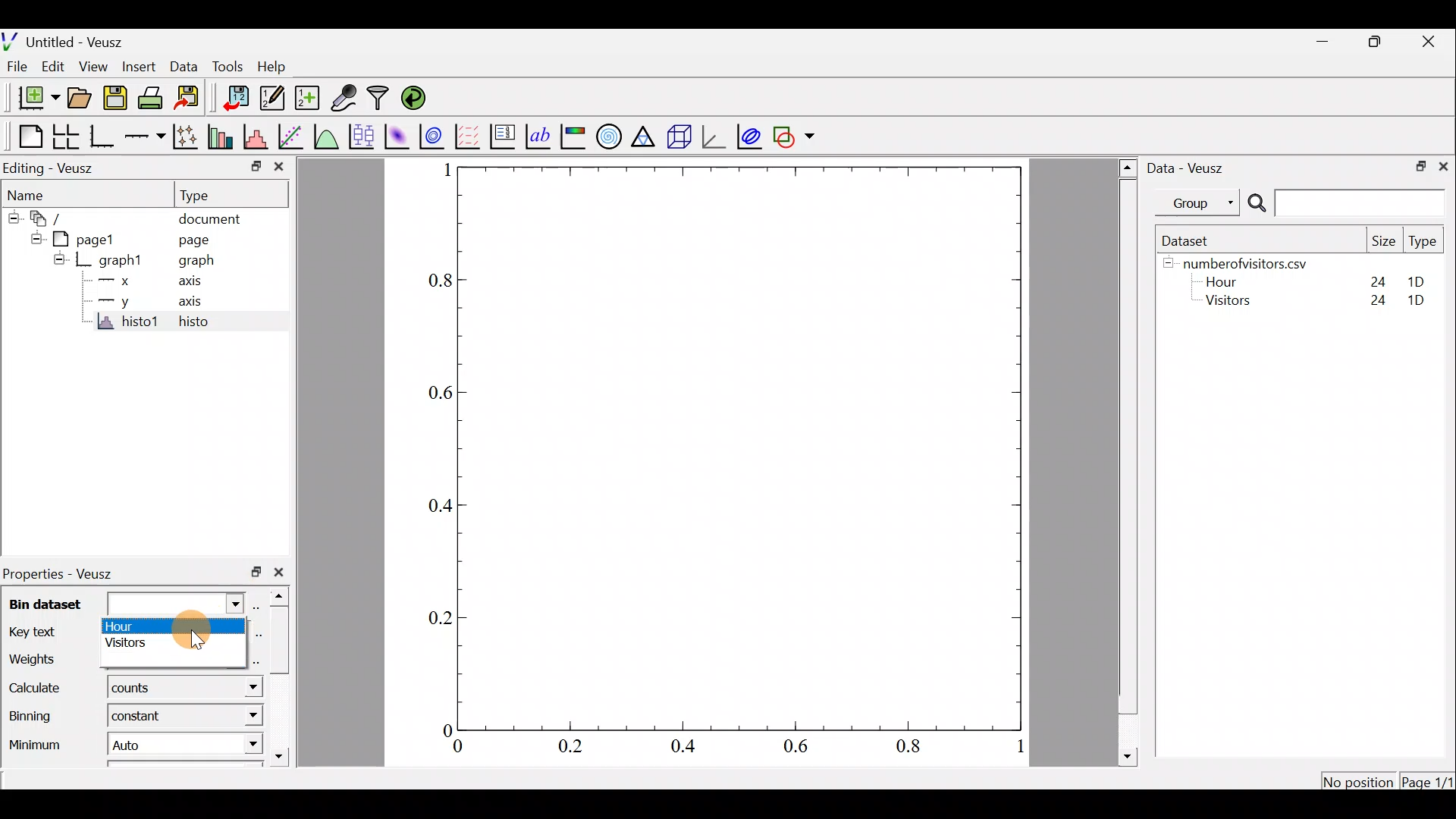  What do you see at coordinates (199, 626) in the screenshot?
I see `Cursor` at bounding box center [199, 626].